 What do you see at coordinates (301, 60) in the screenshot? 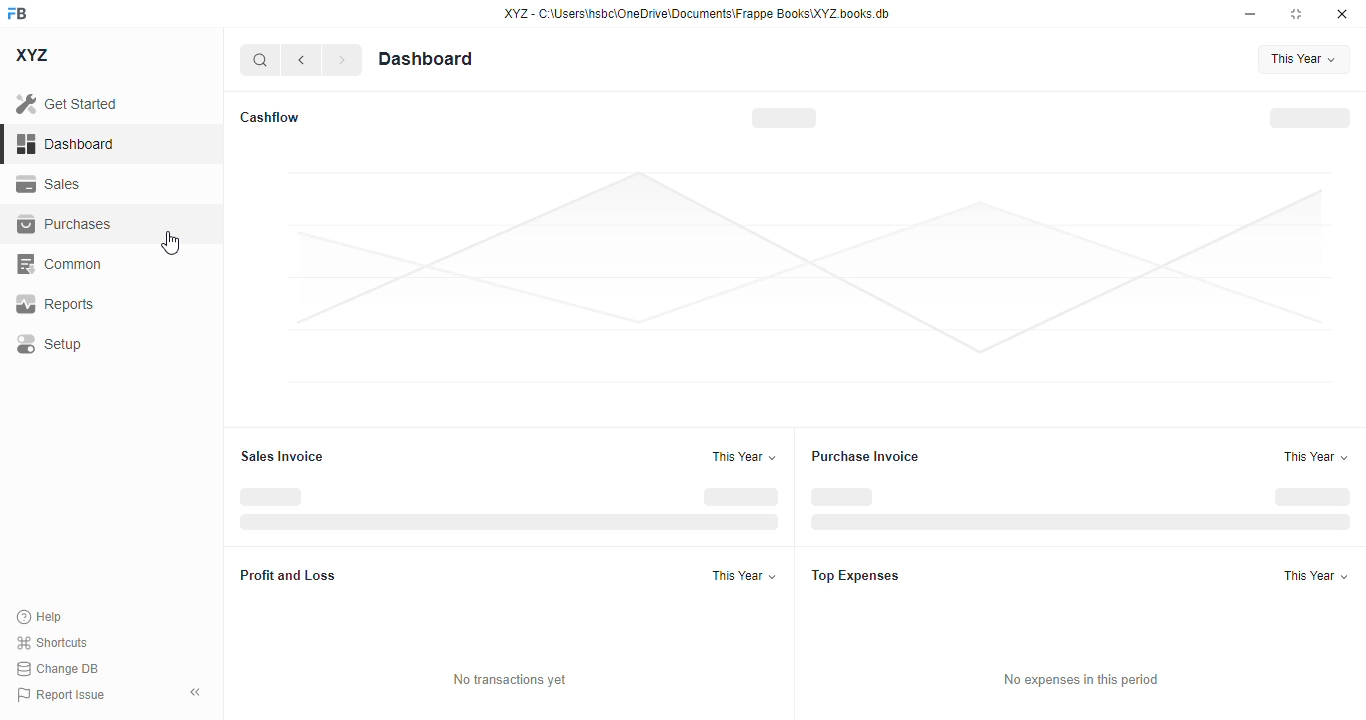
I see `previous` at bounding box center [301, 60].